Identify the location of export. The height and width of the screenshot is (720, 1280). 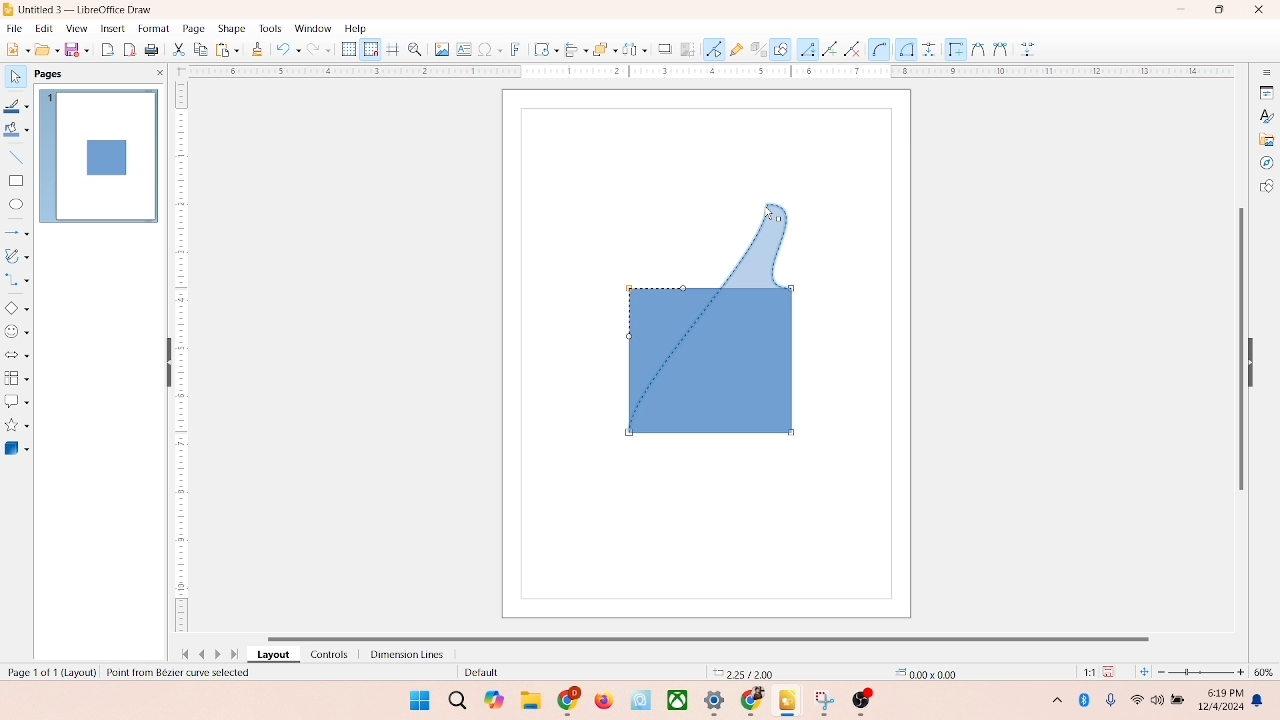
(110, 48).